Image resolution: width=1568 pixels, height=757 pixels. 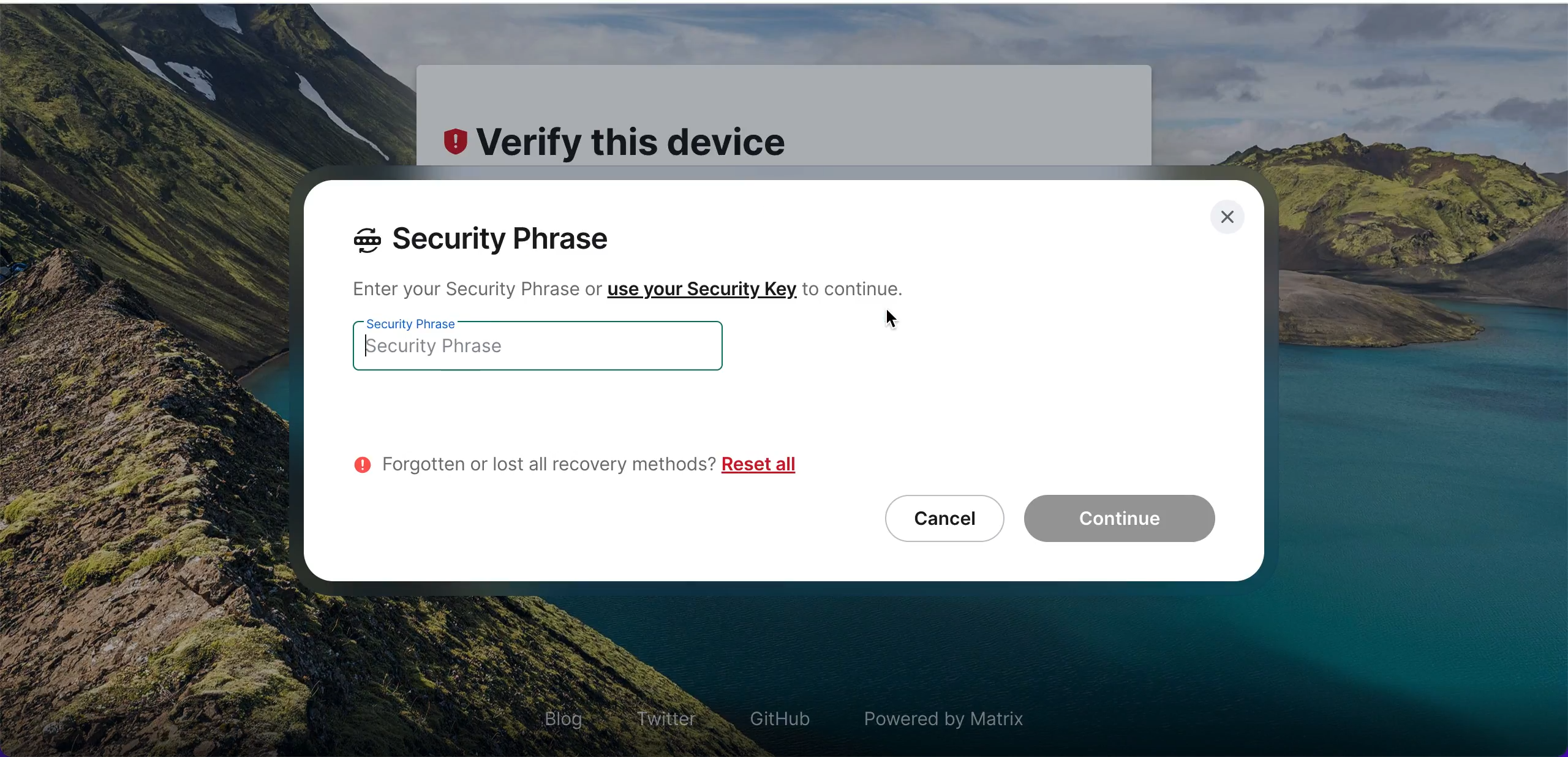 I want to click on reset all, so click(x=759, y=462).